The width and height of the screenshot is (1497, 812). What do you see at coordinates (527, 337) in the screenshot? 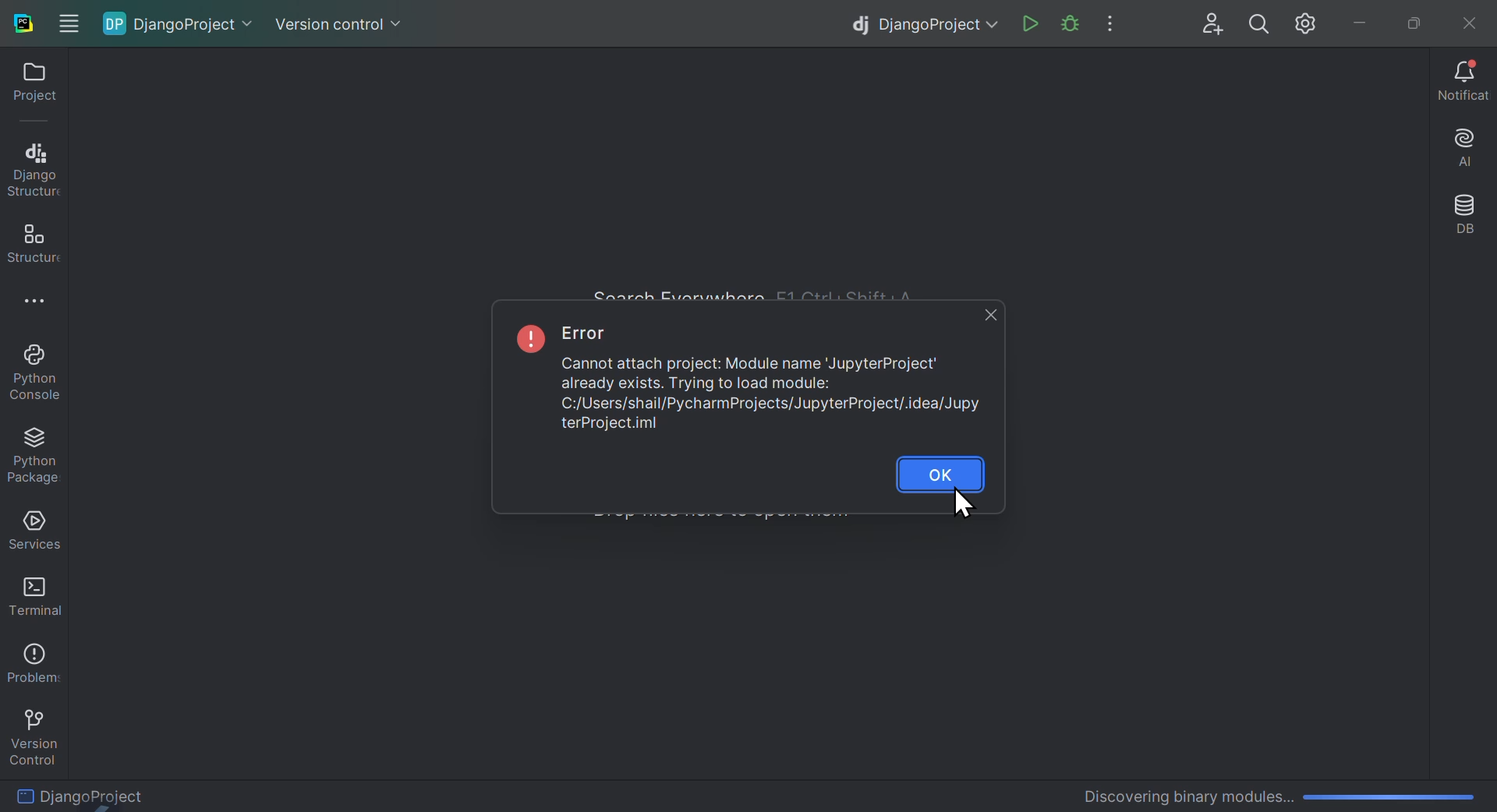
I see `exclamation mark symbol` at bounding box center [527, 337].